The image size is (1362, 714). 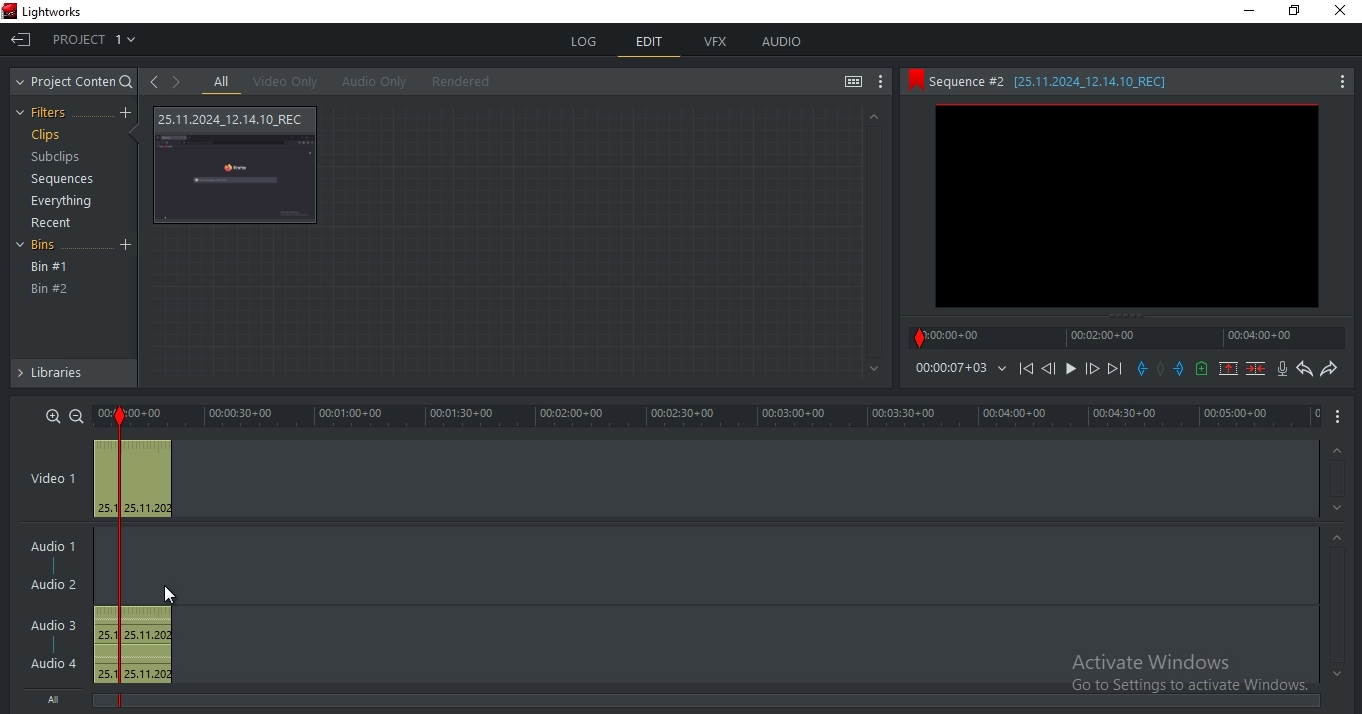 What do you see at coordinates (58, 159) in the screenshot?
I see `subclips` at bounding box center [58, 159].